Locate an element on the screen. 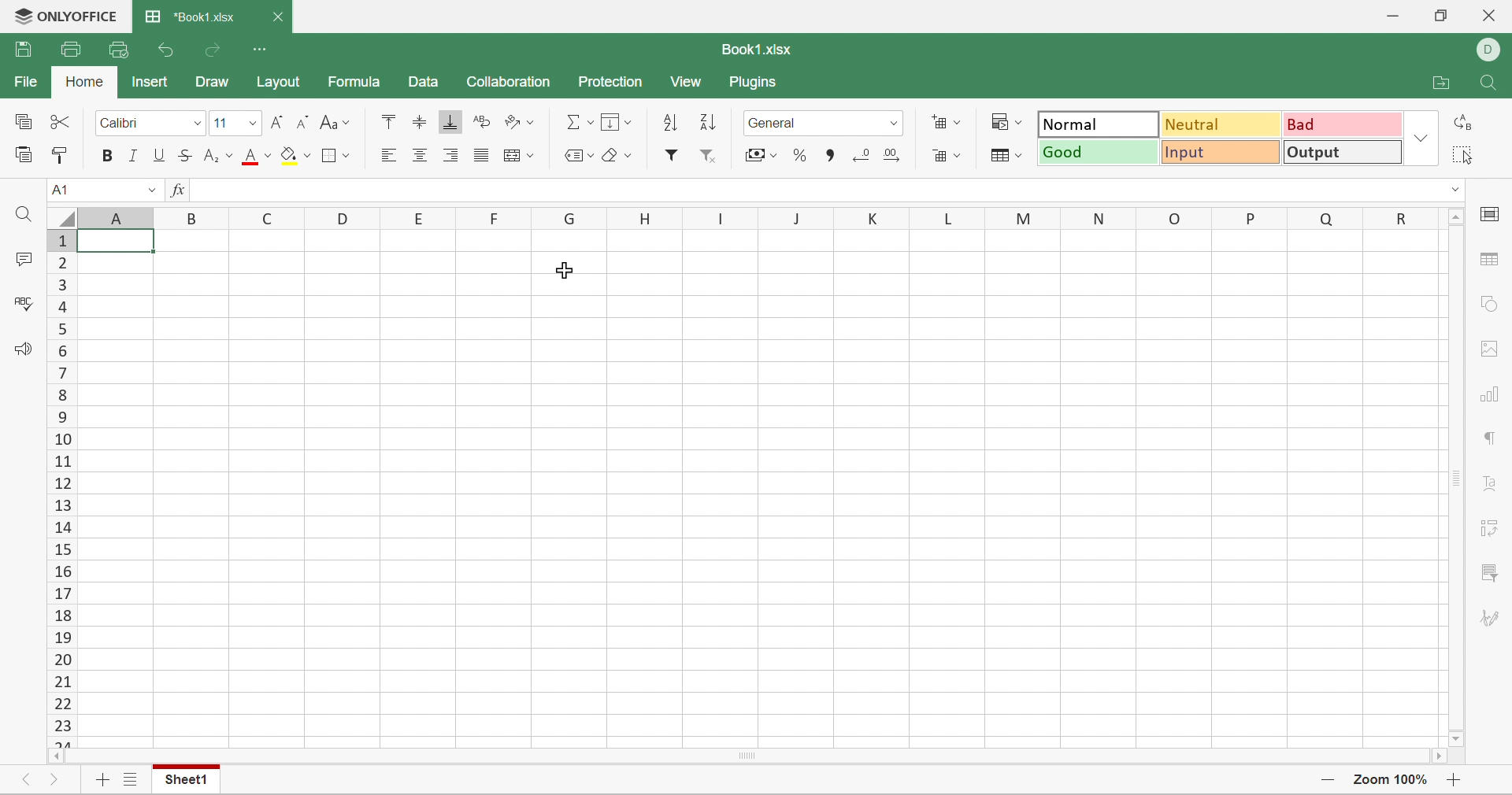  font dropdown is located at coordinates (196, 123).